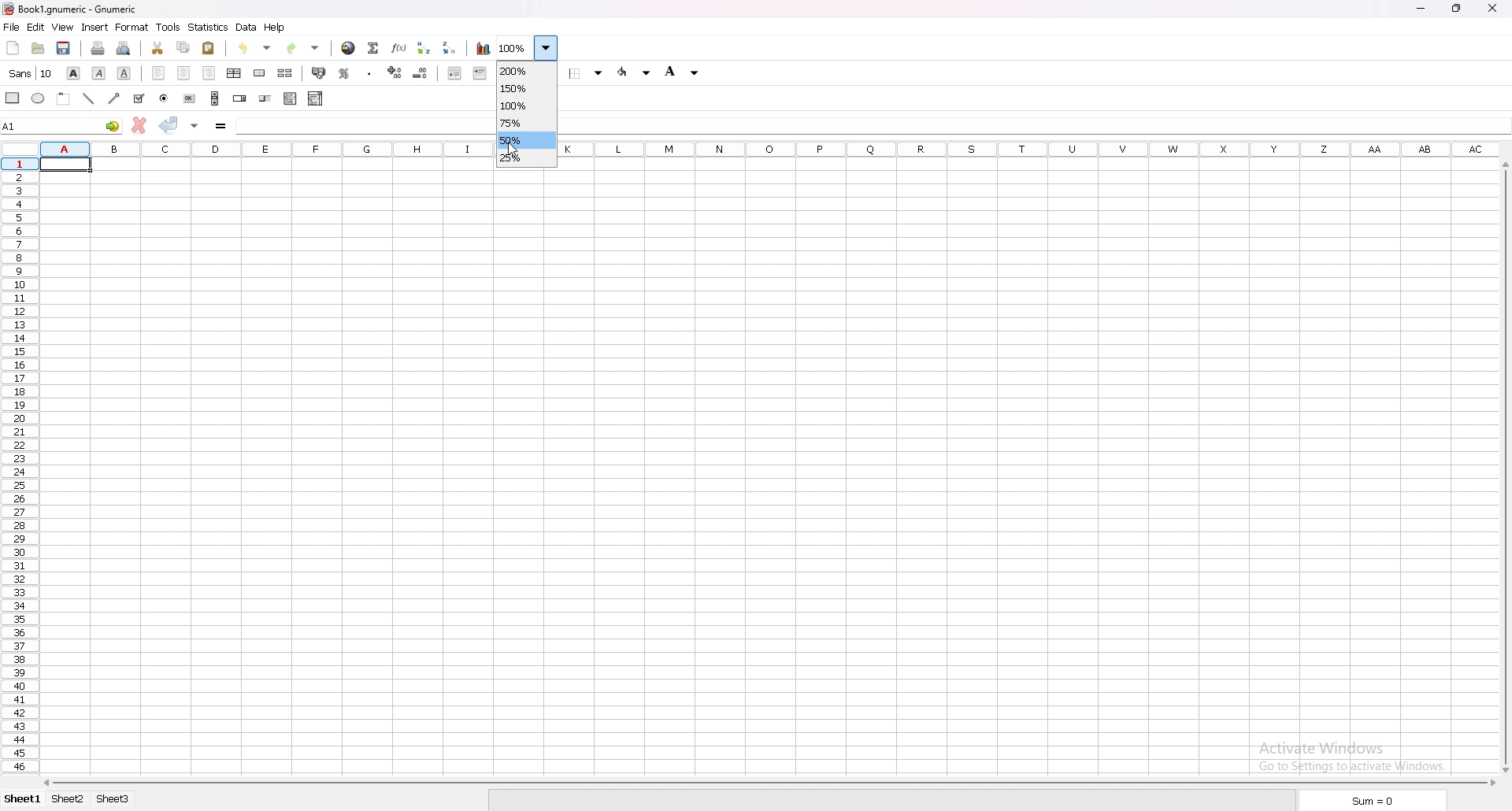 This screenshot has width=1512, height=811. What do you see at coordinates (209, 72) in the screenshot?
I see `right align` at bounding box center [209, 72].